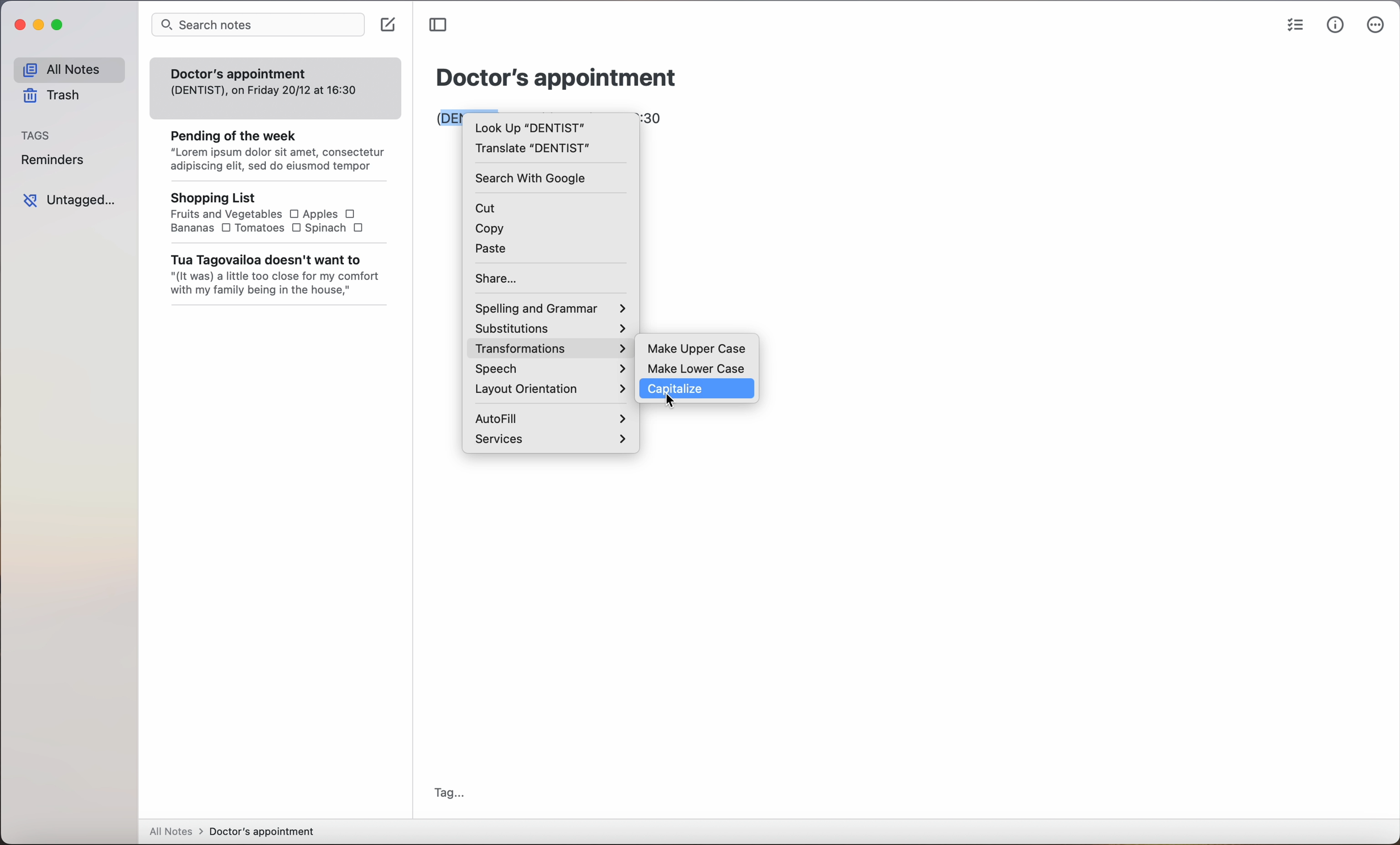  What do you see at coordinates (35, 136) in the screenshot?
I see `tags` at bounding box center [35, 136].